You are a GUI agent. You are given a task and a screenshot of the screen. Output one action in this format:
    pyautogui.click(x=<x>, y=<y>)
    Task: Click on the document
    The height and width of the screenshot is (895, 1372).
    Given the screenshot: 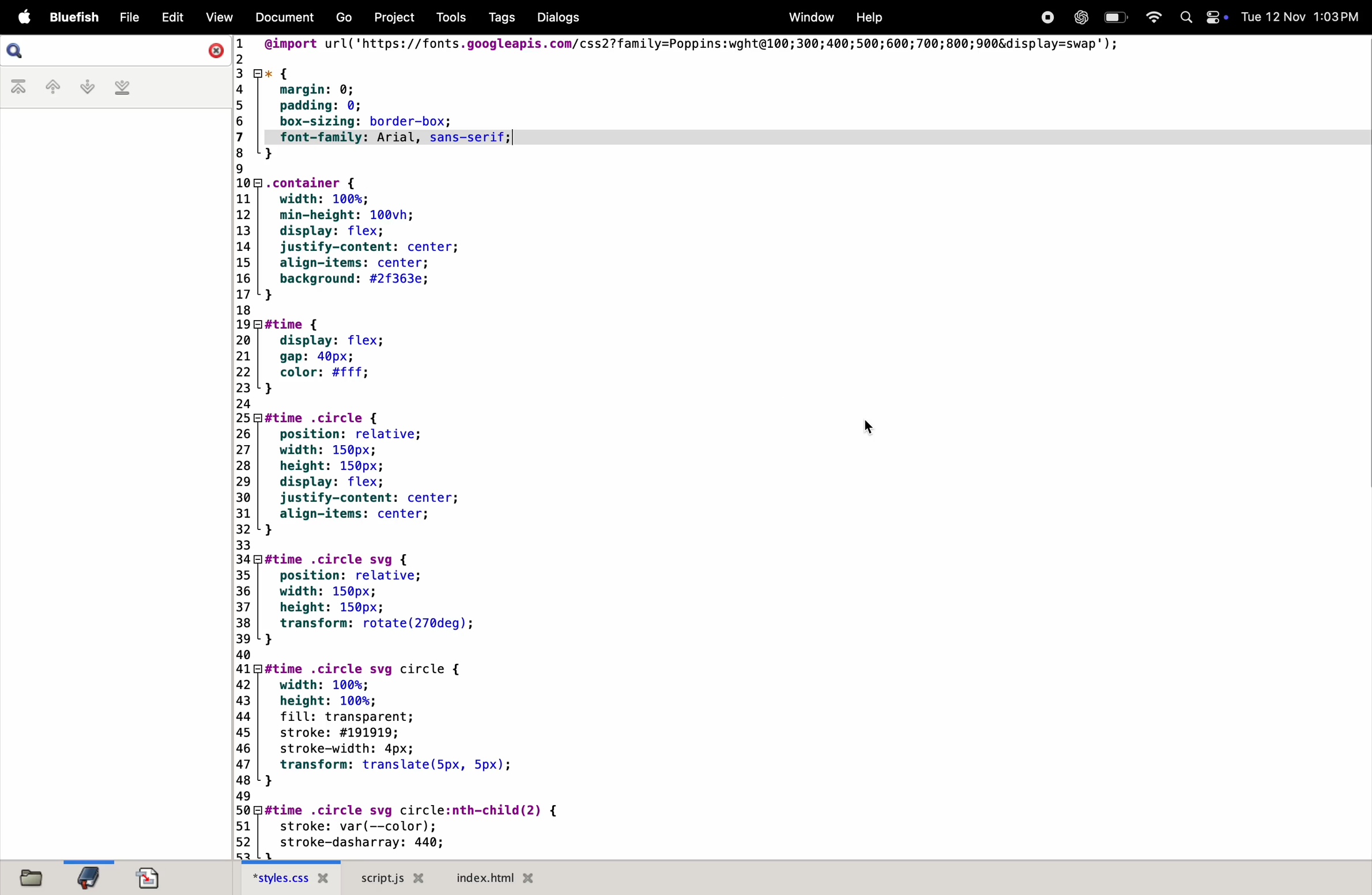 What is the action you would take?
    pyautogui.click(x=156, y=878)
    